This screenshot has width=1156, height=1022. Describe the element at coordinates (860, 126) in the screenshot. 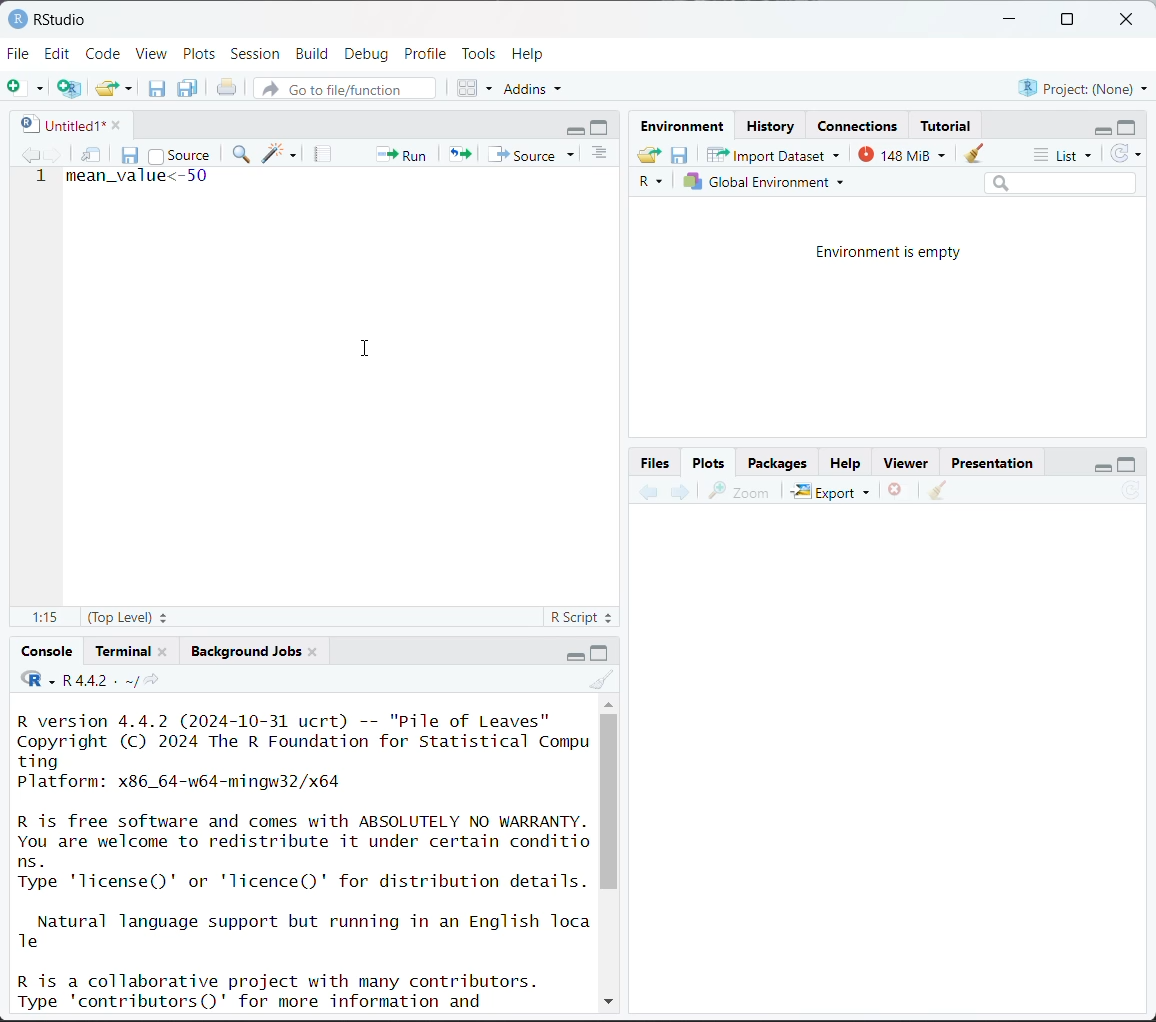

I see `Connections` at that location.